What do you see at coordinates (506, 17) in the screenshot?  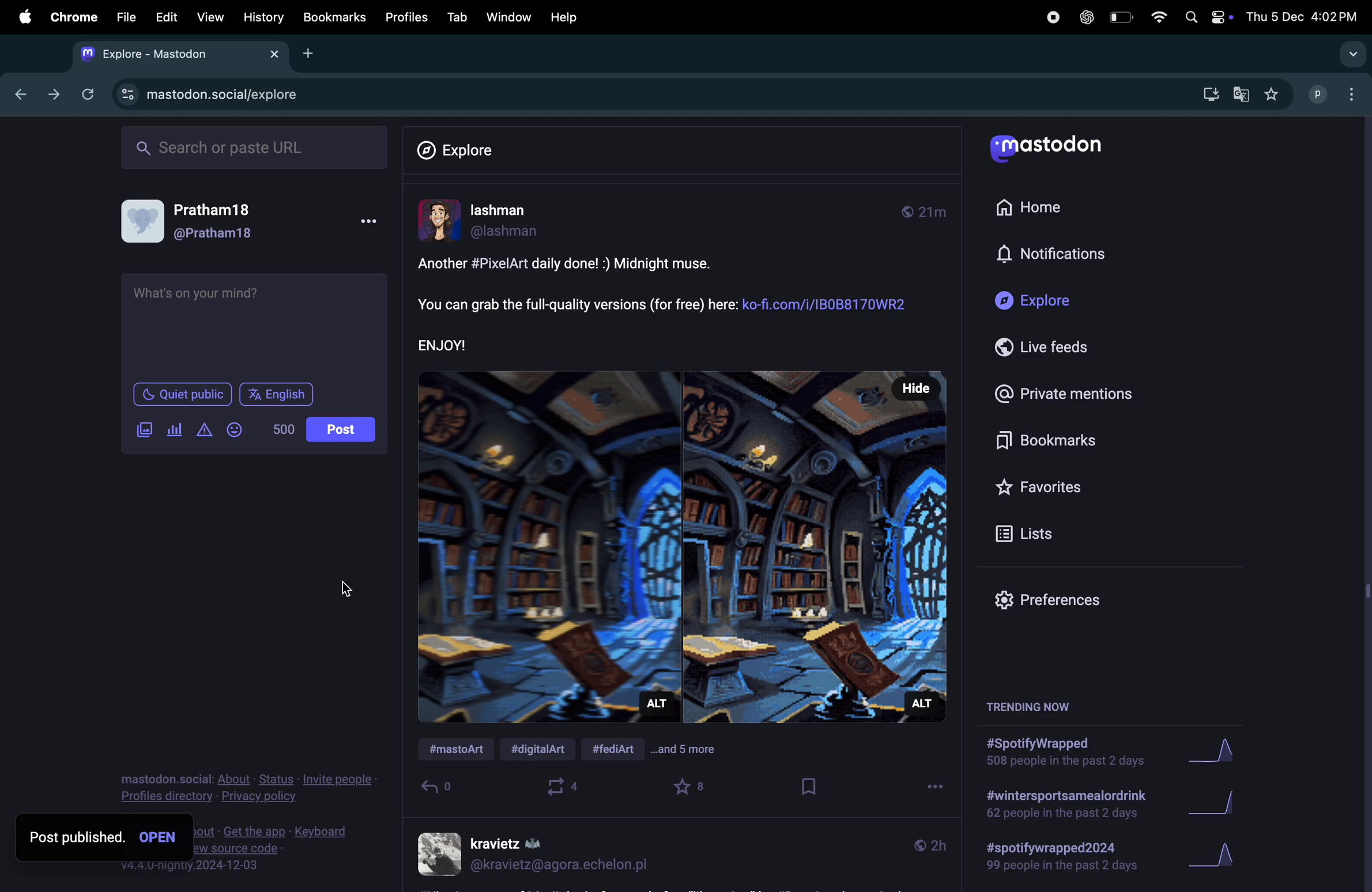 I see `Window` at bounding box center [506, 17].